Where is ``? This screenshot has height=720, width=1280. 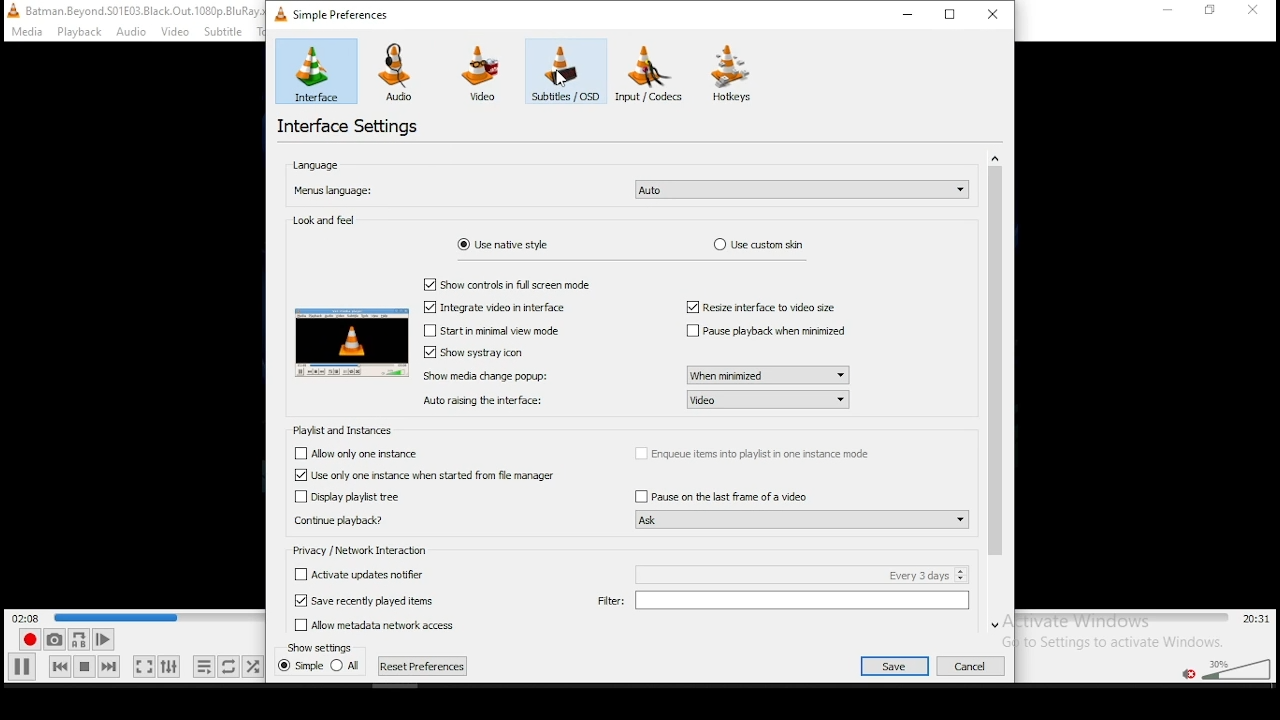
 is located at coordinates (894, 666).